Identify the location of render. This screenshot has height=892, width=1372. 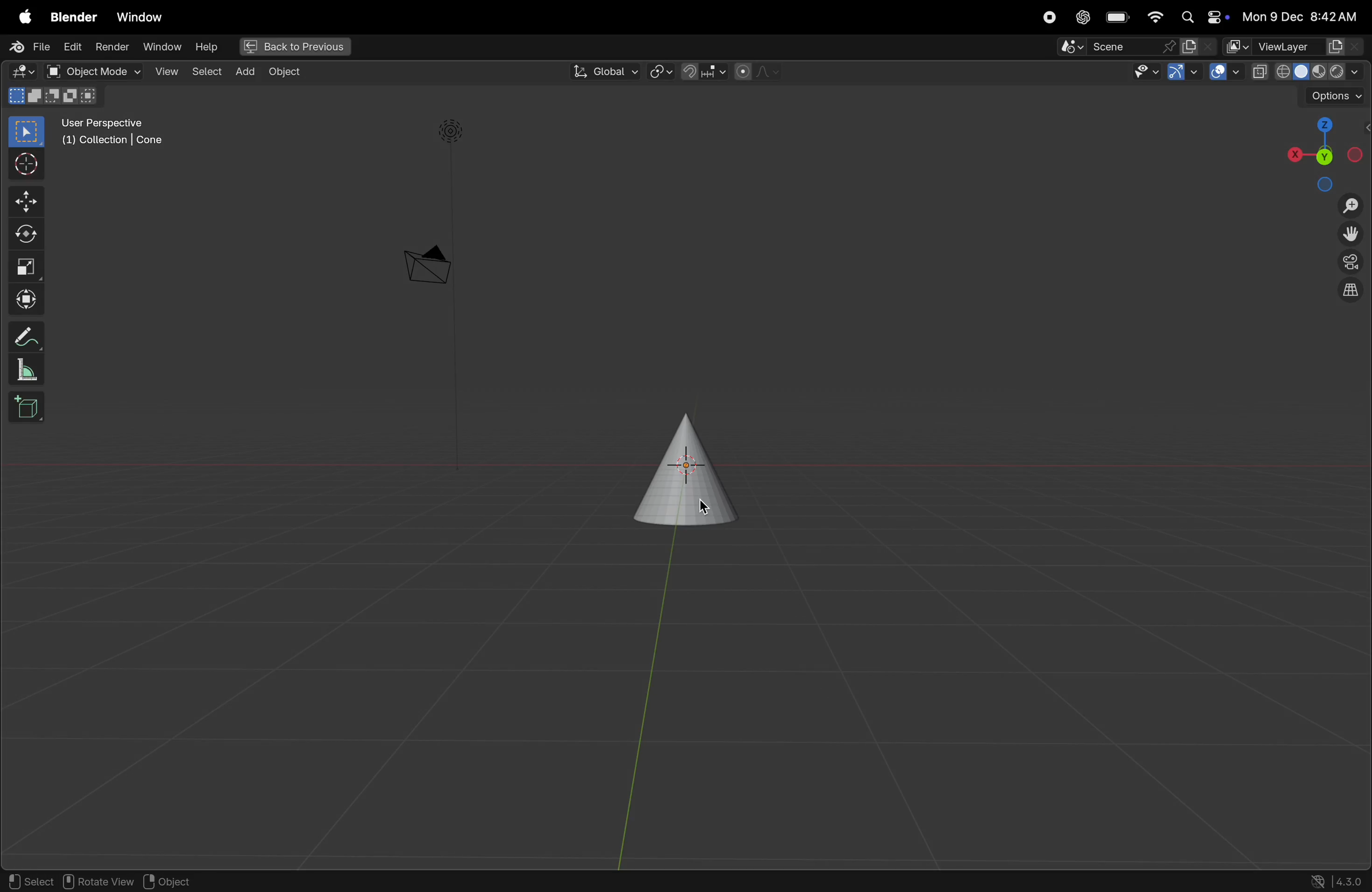
(111, 47).